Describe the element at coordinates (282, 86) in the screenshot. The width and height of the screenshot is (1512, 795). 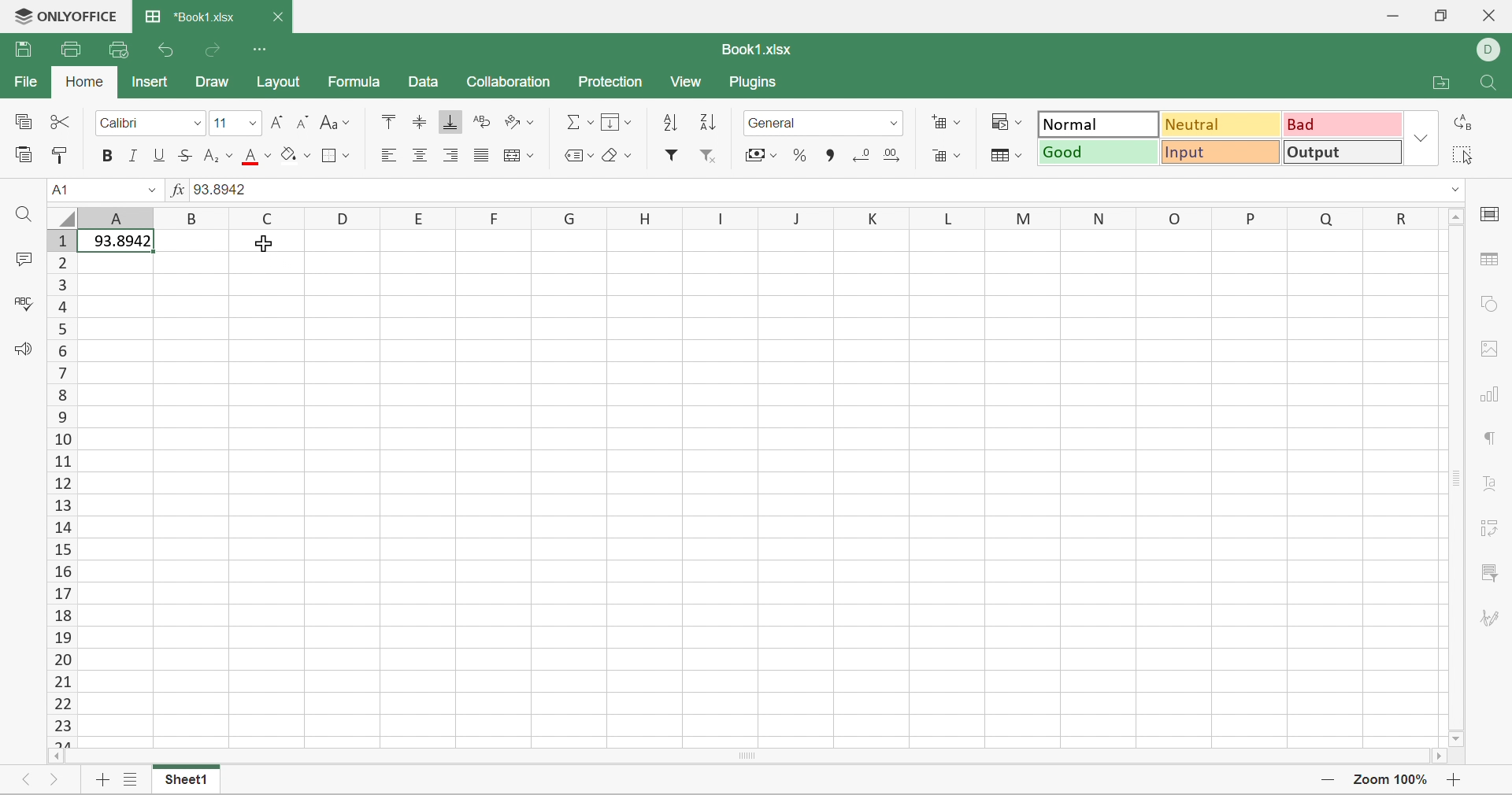
I see `Layout` at that location.